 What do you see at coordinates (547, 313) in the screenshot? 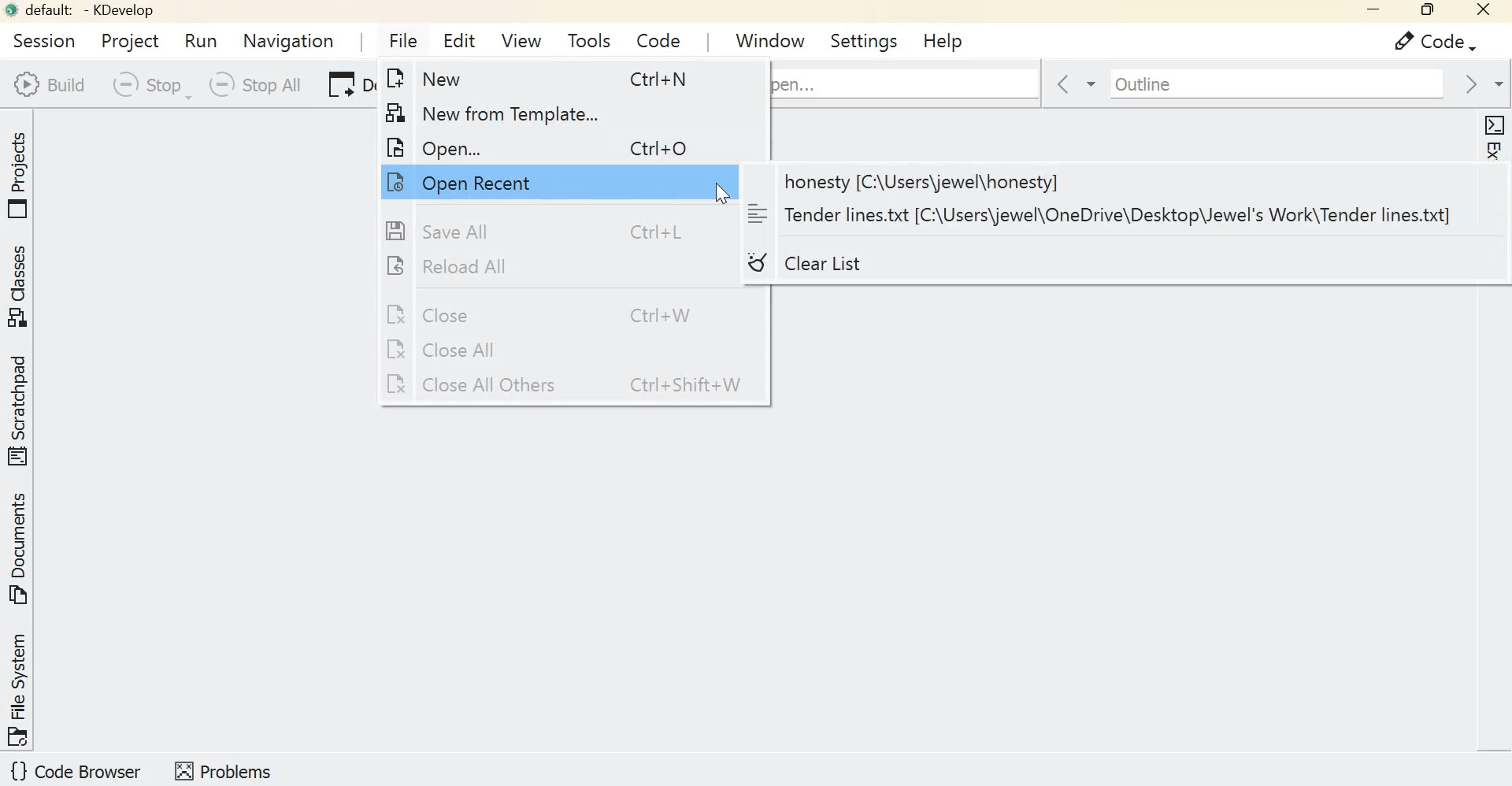
I see `Close` at bounding box center [547, 313].